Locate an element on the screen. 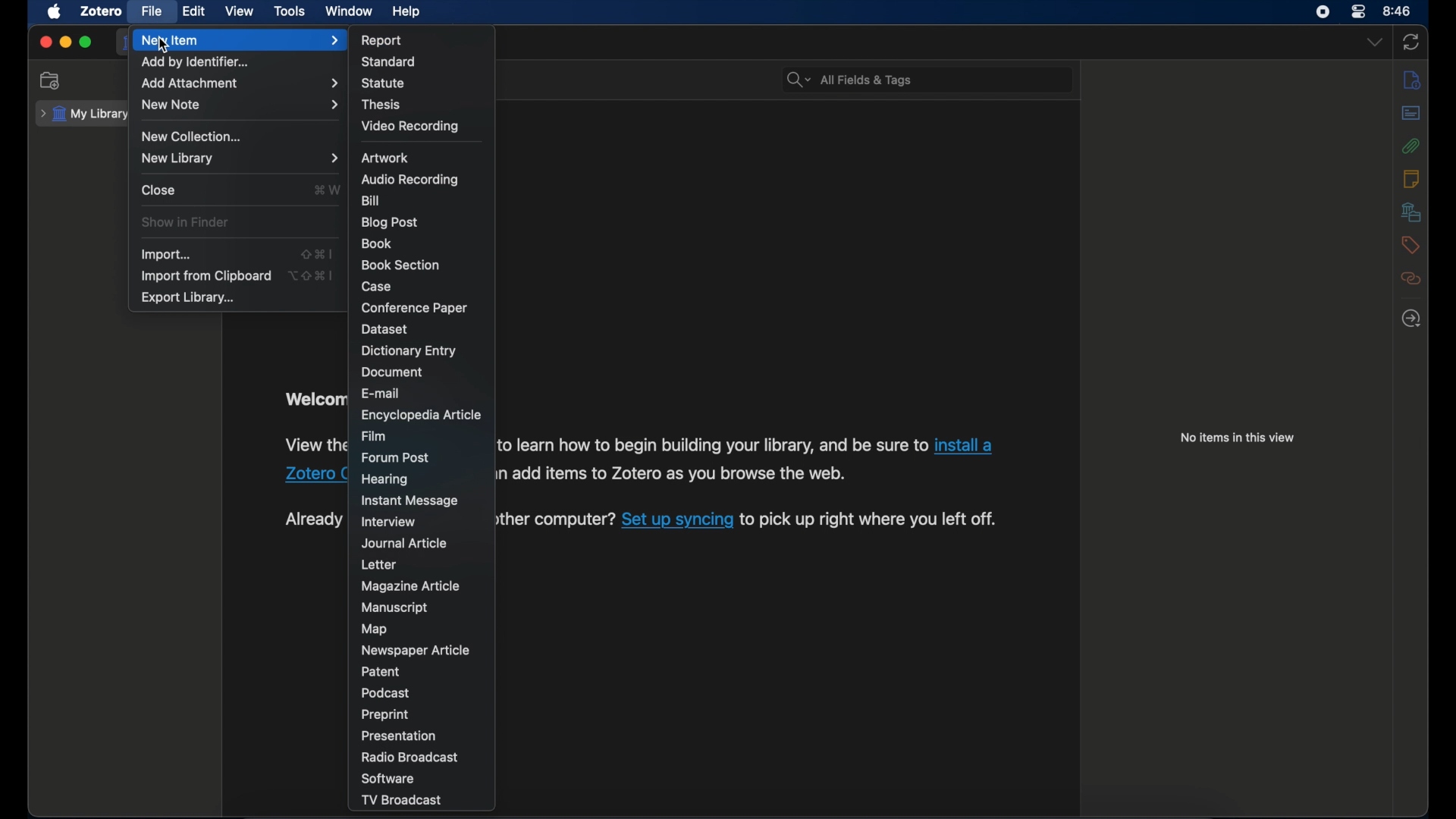 The width and height of the screenshot is (1456, 819). software information is located at coordinates (557, 524).